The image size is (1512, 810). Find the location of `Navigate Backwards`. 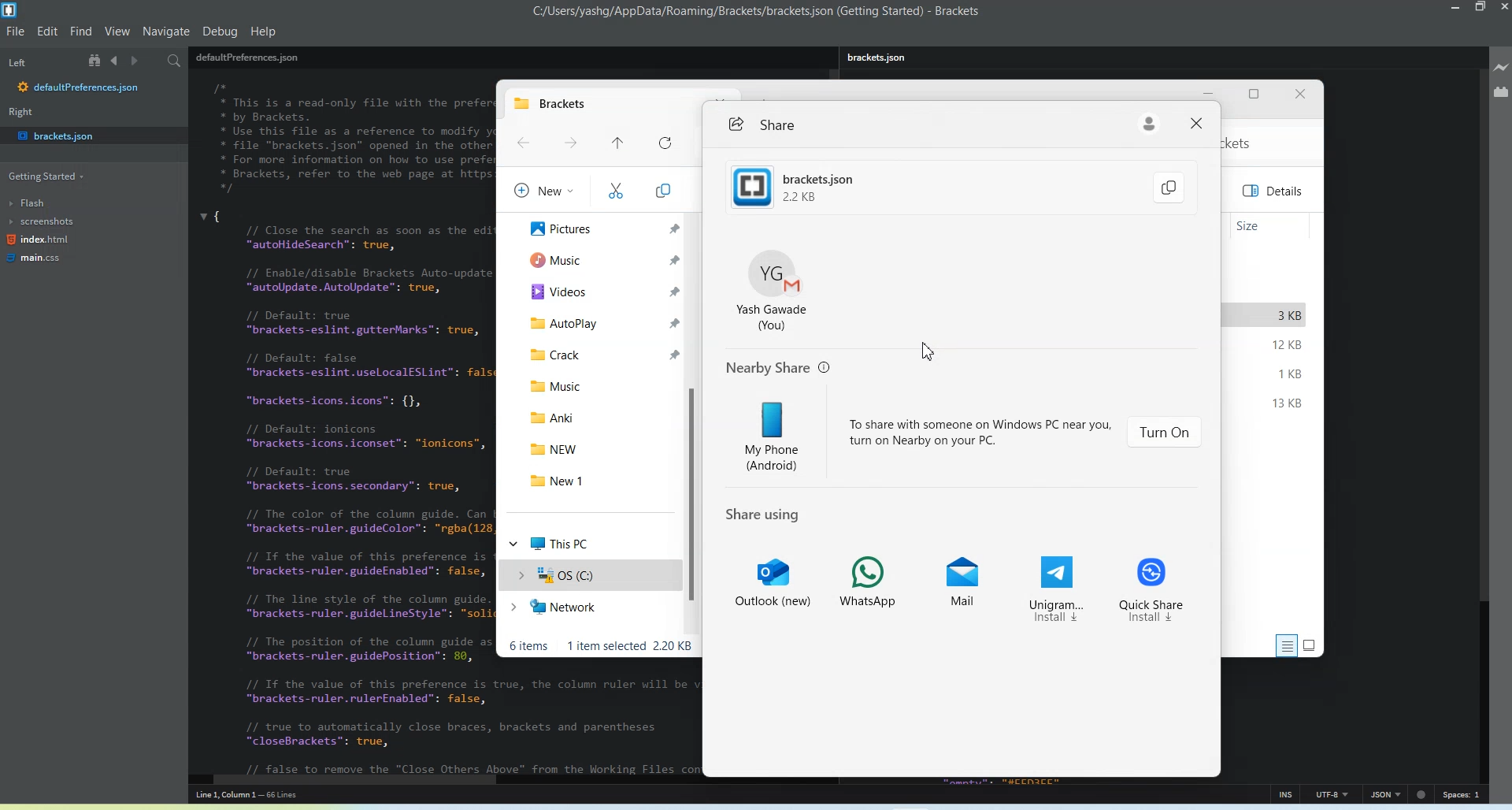

Navigate Backwards is located at coordinates (117, 61).